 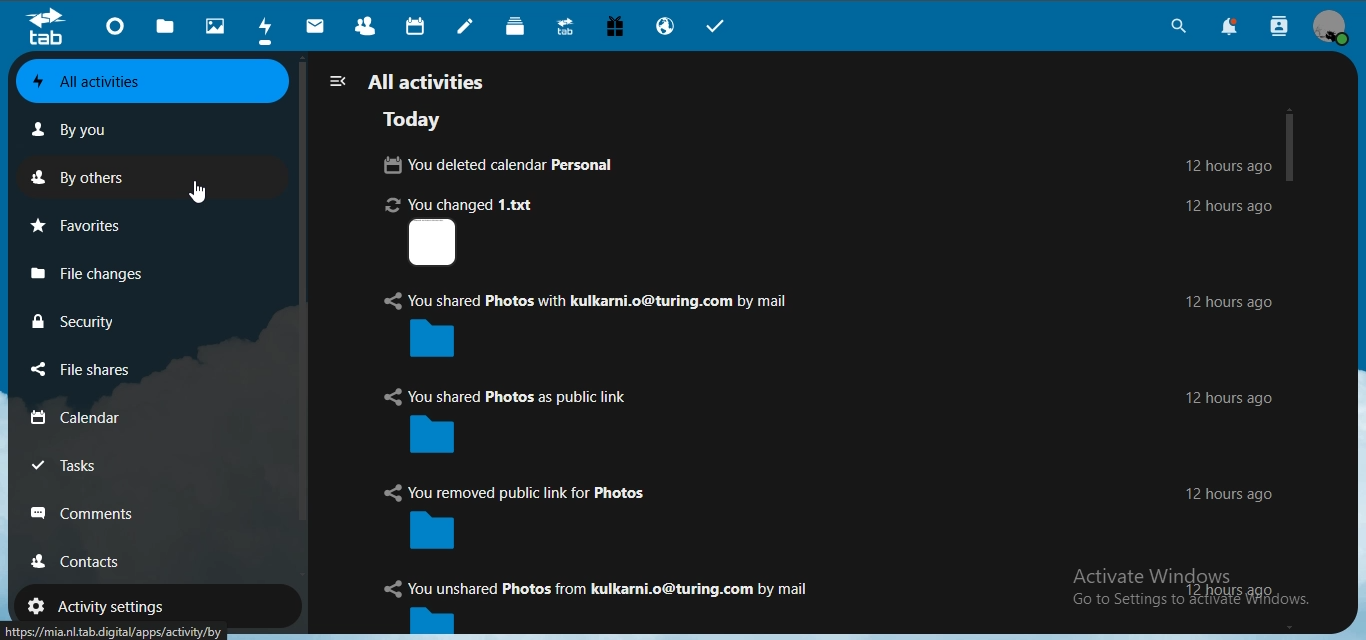 What do you see at coordinates (831, 232) in the screenshot?
I see `You changed 1.txt 12 hours ago` at bounding box center [831, 232].